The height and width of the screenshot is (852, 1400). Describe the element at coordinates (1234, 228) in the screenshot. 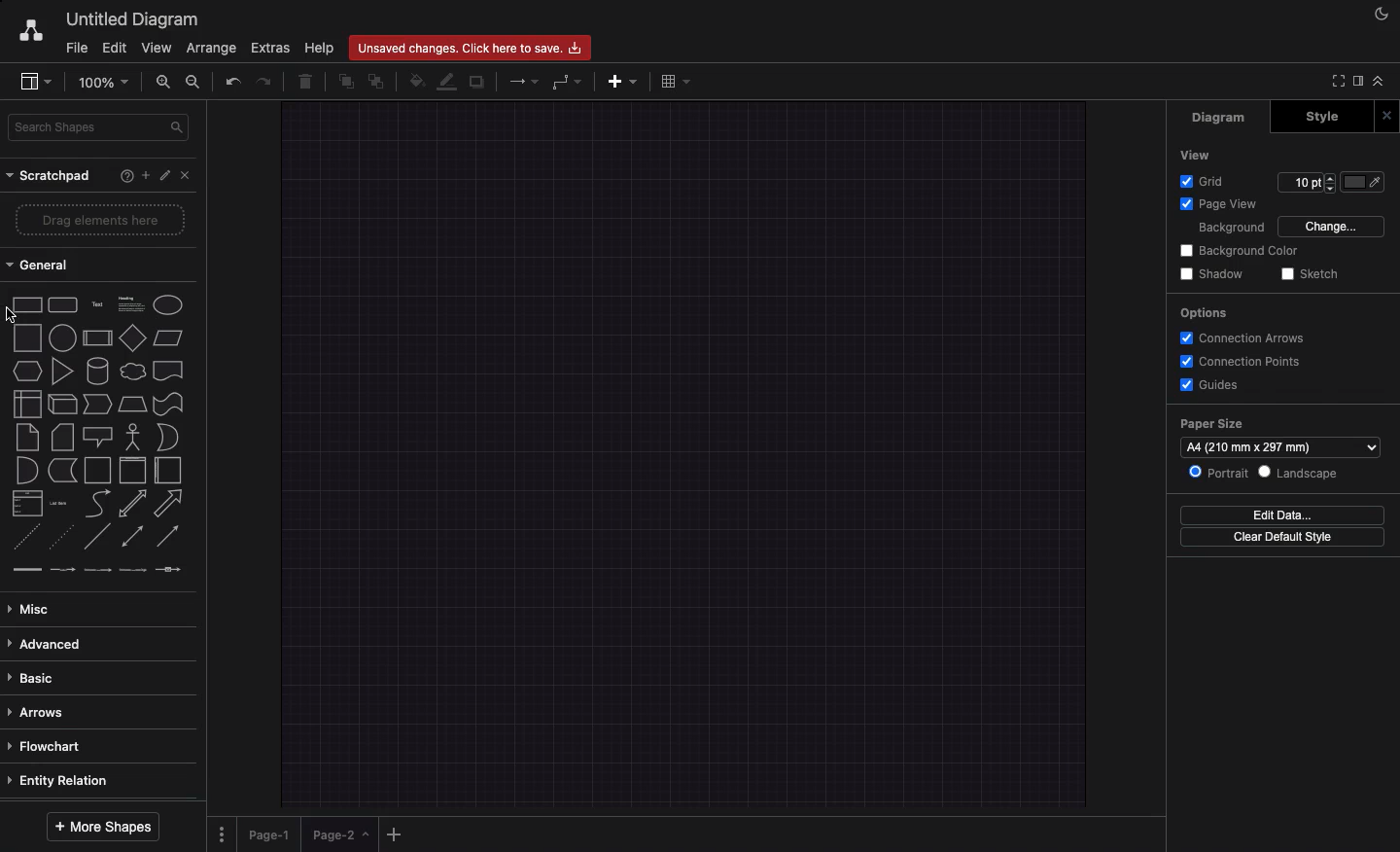

I see `Background` at that location.